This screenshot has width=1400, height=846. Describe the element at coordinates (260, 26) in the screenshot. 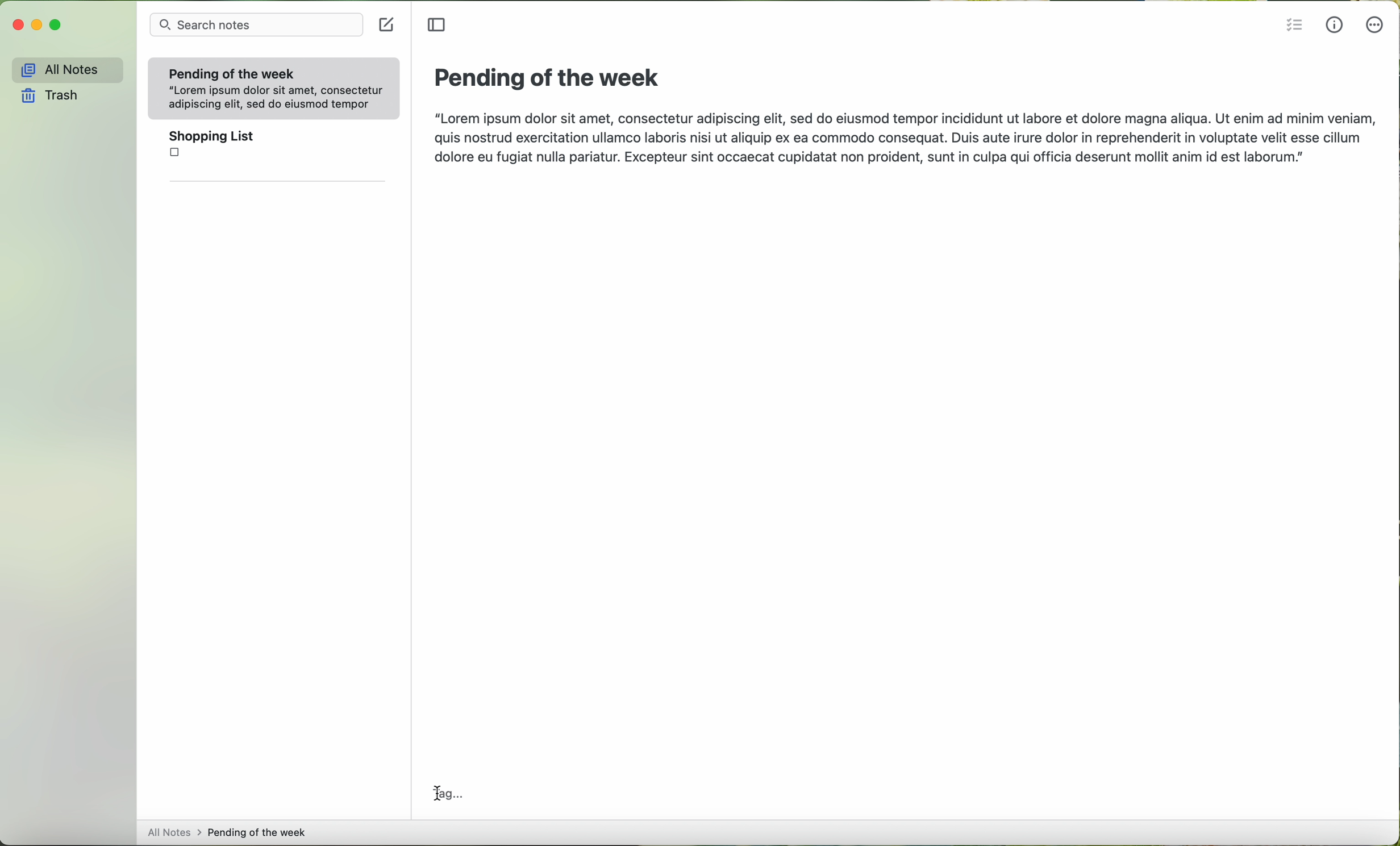

I see `search bar` at that location.